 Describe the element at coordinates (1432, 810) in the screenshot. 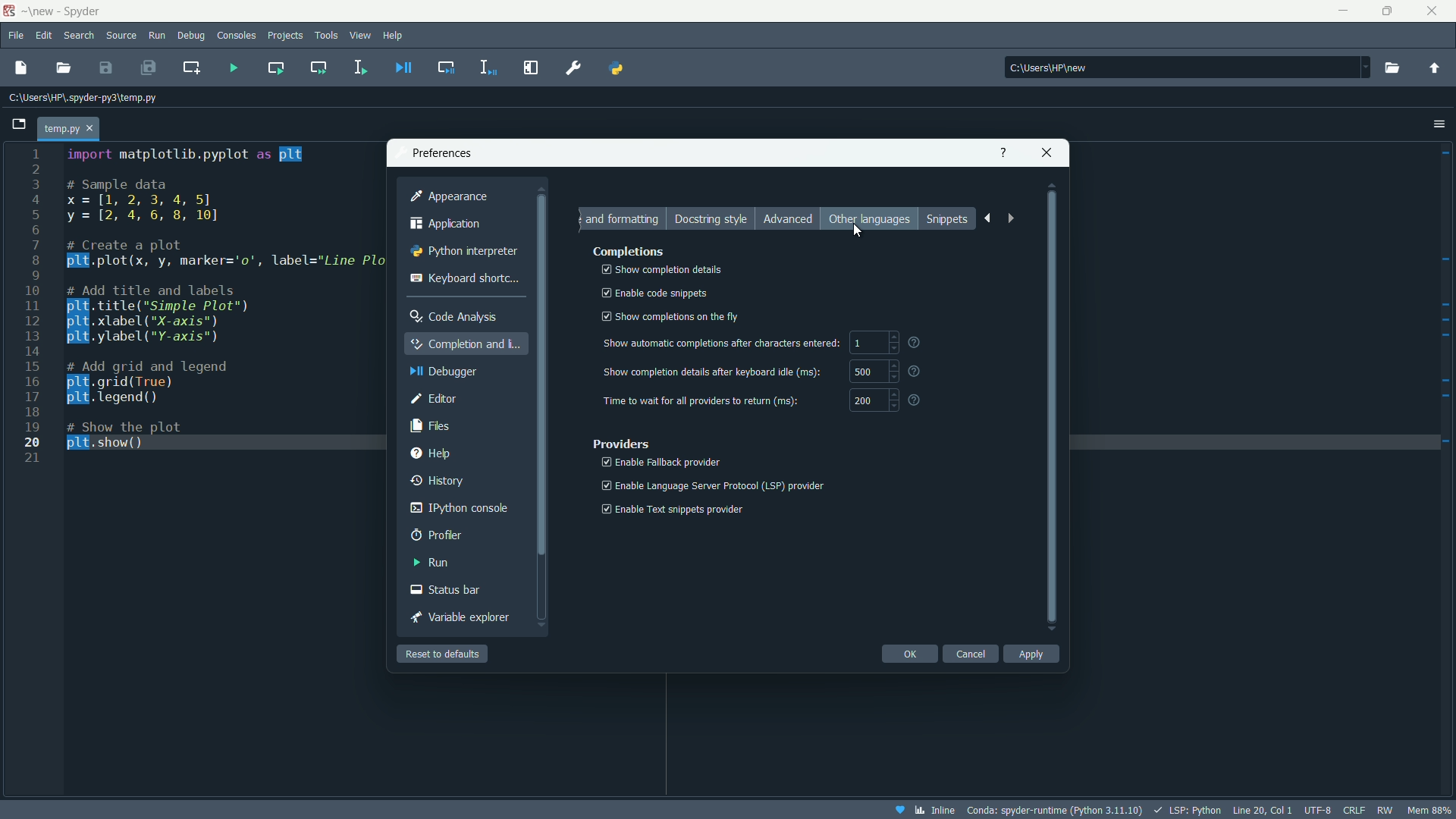

I see `memory usage` at that location.